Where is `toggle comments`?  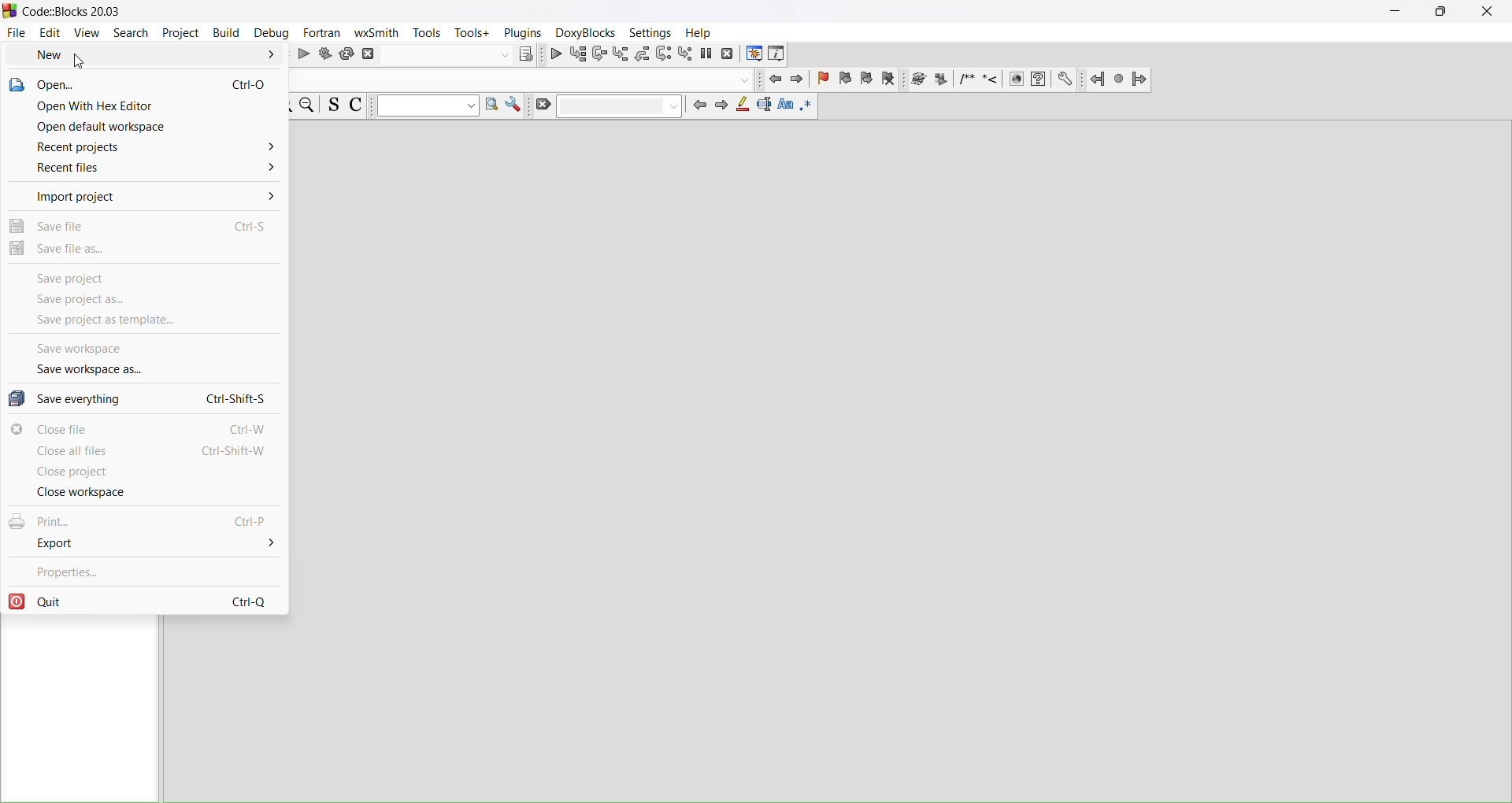 toggle comments is located at coordinates (358, 105).